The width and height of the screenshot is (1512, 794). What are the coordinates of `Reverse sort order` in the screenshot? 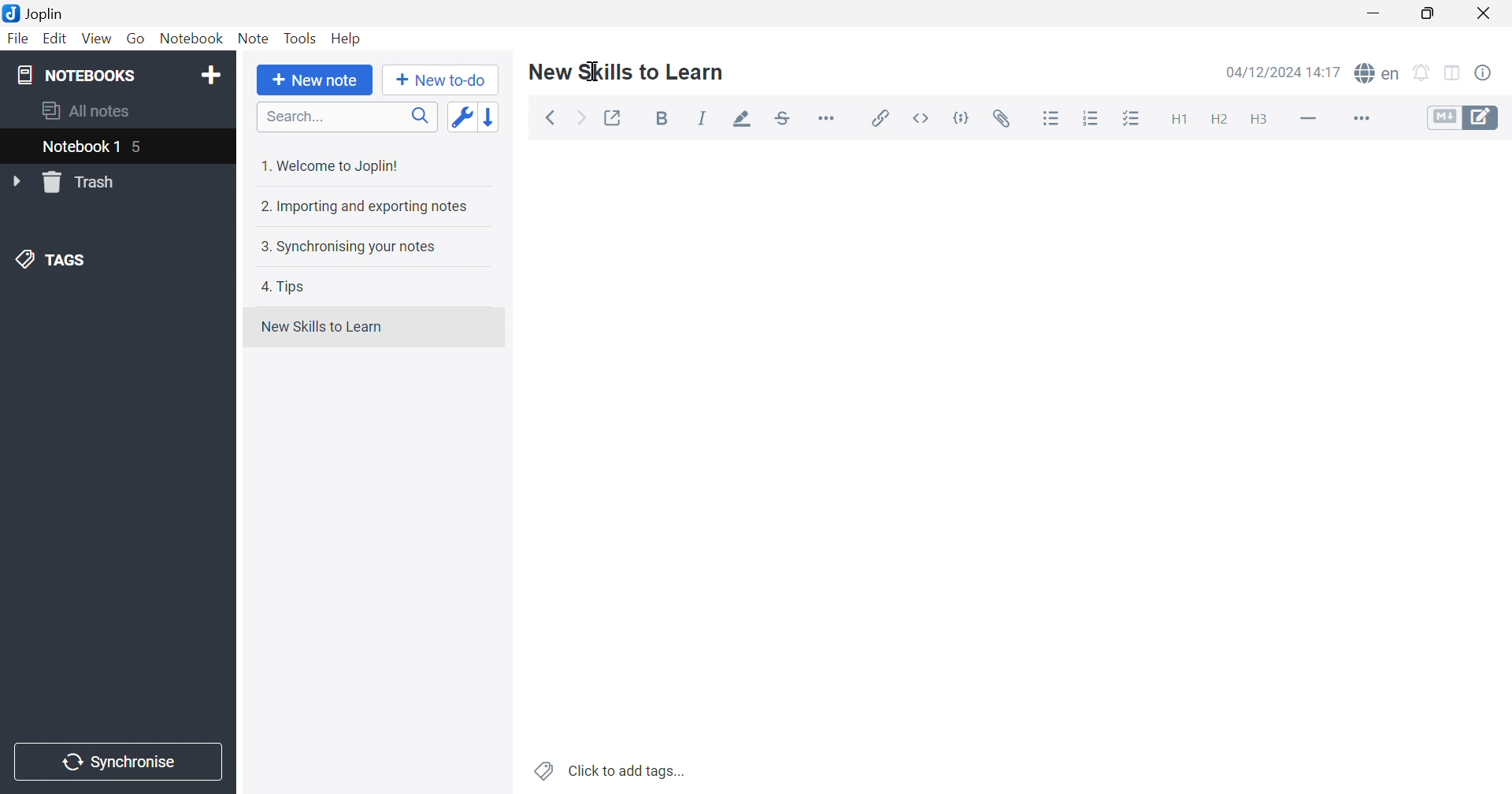 It's located at (492, 117).